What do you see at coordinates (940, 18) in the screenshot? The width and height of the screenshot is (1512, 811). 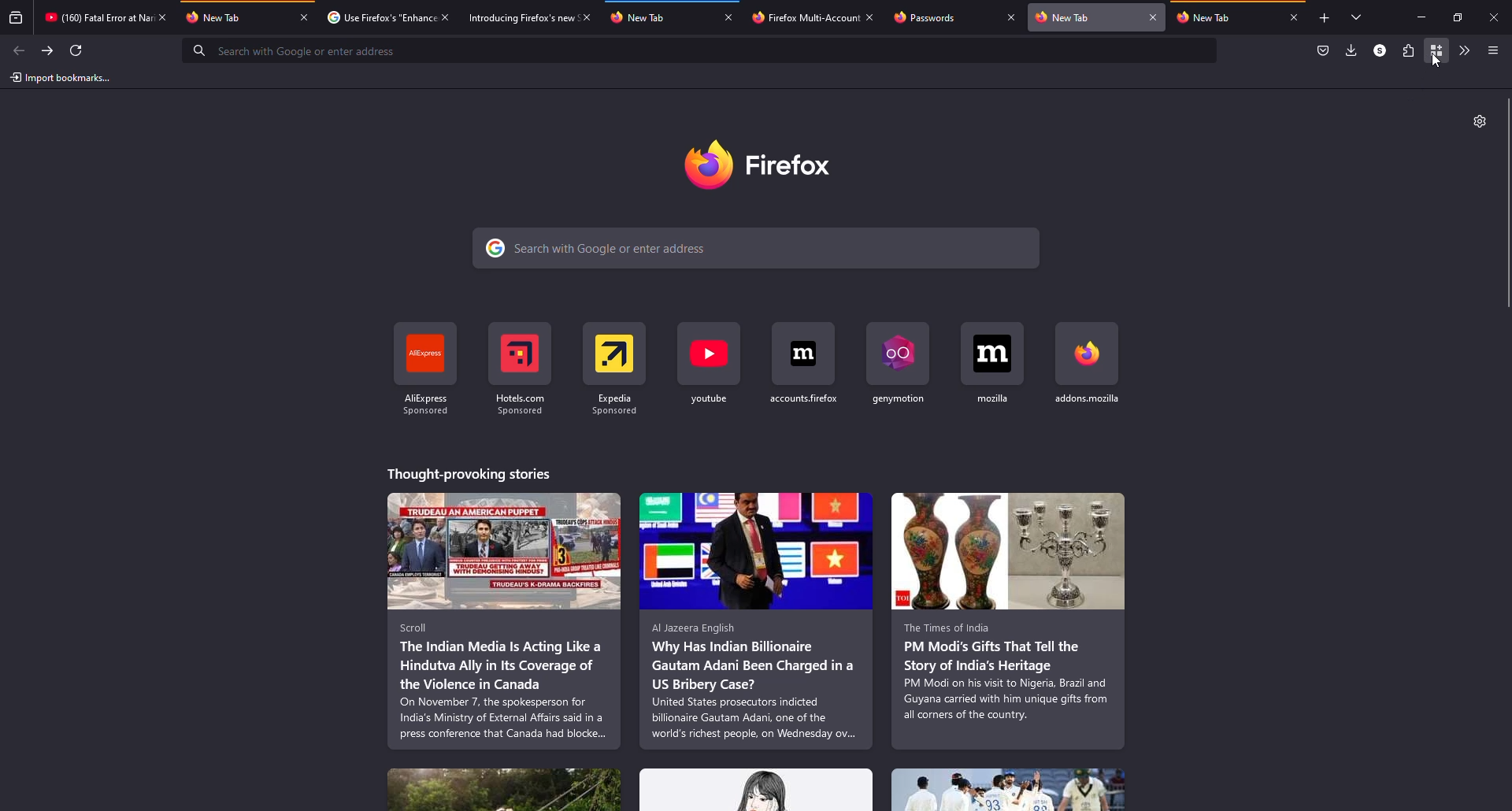 I see `tab` at bounding box center [940, 18].